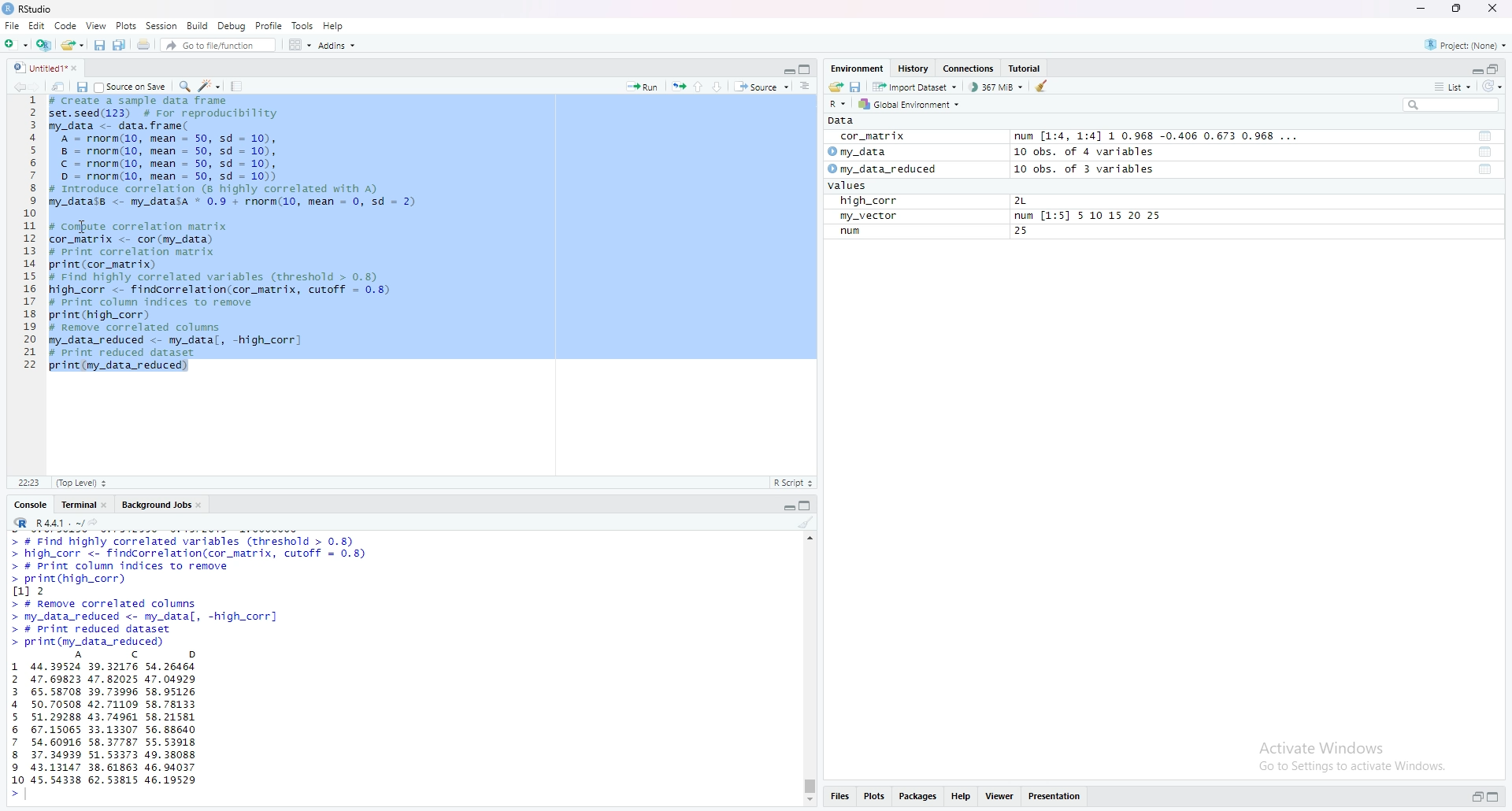 This screenshot has height=811, width=1512. I want to click on save, so click(80, 87).